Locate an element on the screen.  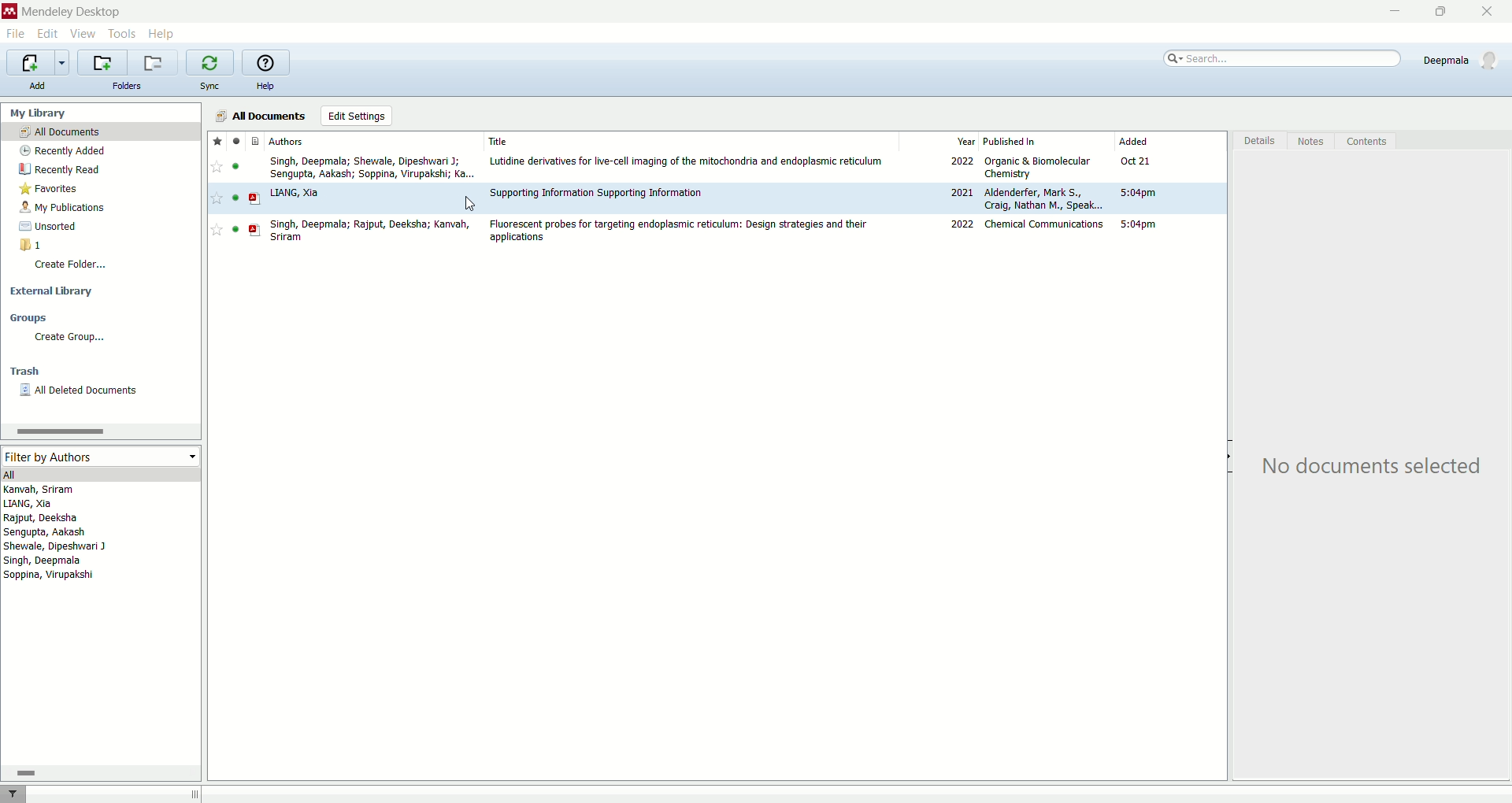
year is located at coordinates (967, 140).